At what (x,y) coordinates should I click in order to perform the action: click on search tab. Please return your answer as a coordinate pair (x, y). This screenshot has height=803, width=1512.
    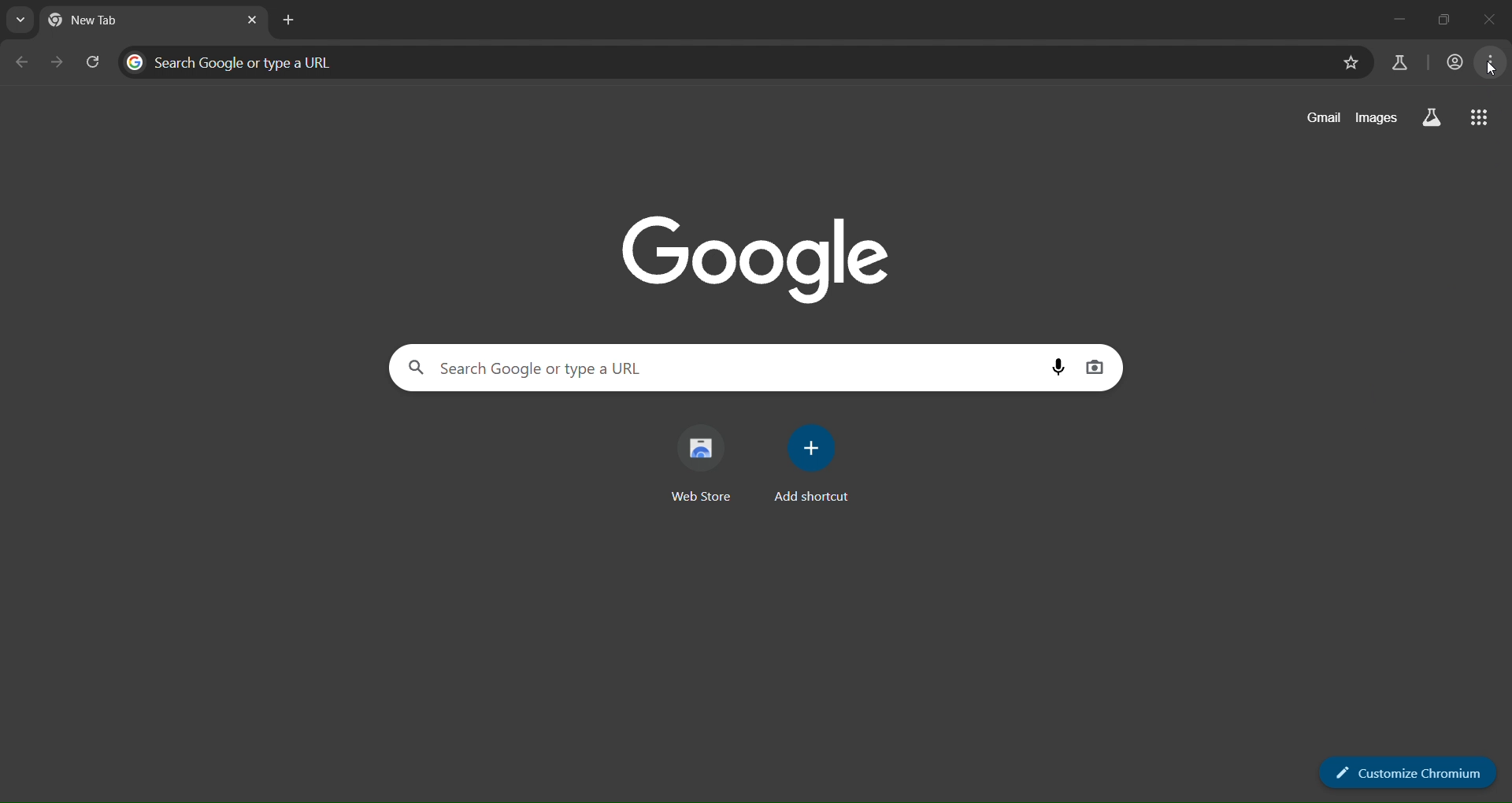
    Looking at the image, I should click on (21, 23).